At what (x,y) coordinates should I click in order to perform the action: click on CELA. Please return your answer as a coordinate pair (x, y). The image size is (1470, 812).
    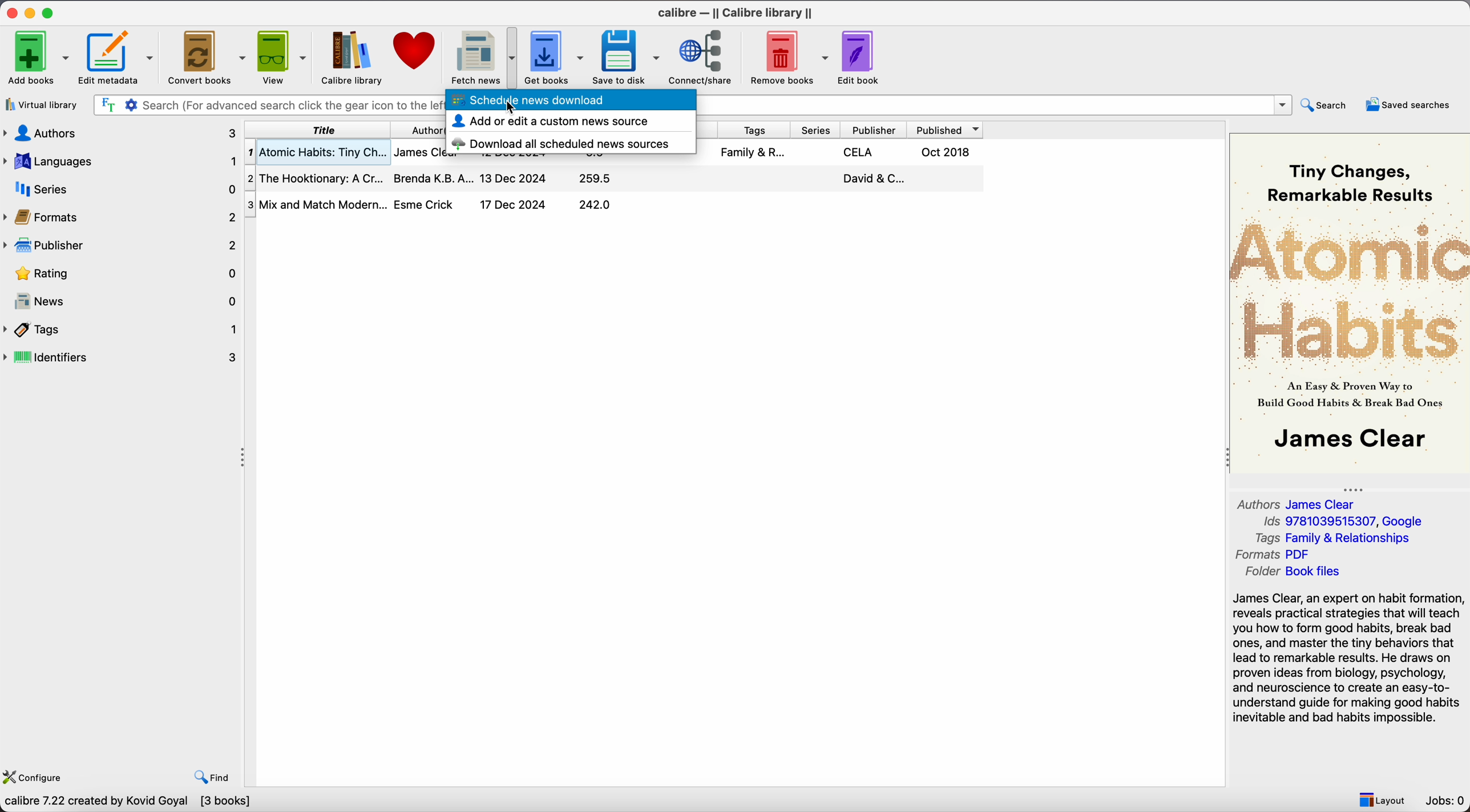
    Looking at the image, I should click on (859, 152).